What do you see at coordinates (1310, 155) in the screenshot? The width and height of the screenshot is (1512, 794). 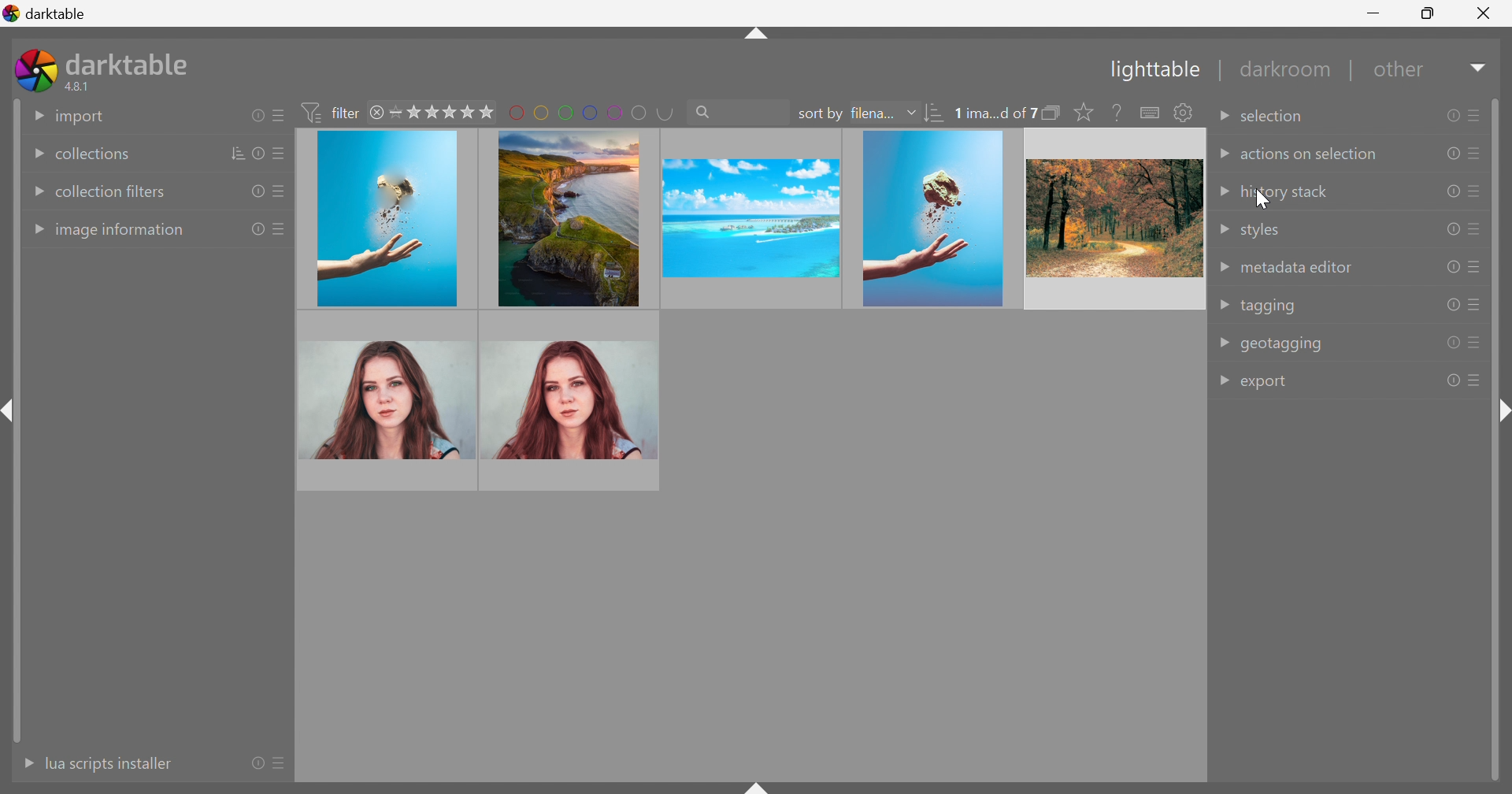 I see `actions on selection` at bounding box center [1310, 155].